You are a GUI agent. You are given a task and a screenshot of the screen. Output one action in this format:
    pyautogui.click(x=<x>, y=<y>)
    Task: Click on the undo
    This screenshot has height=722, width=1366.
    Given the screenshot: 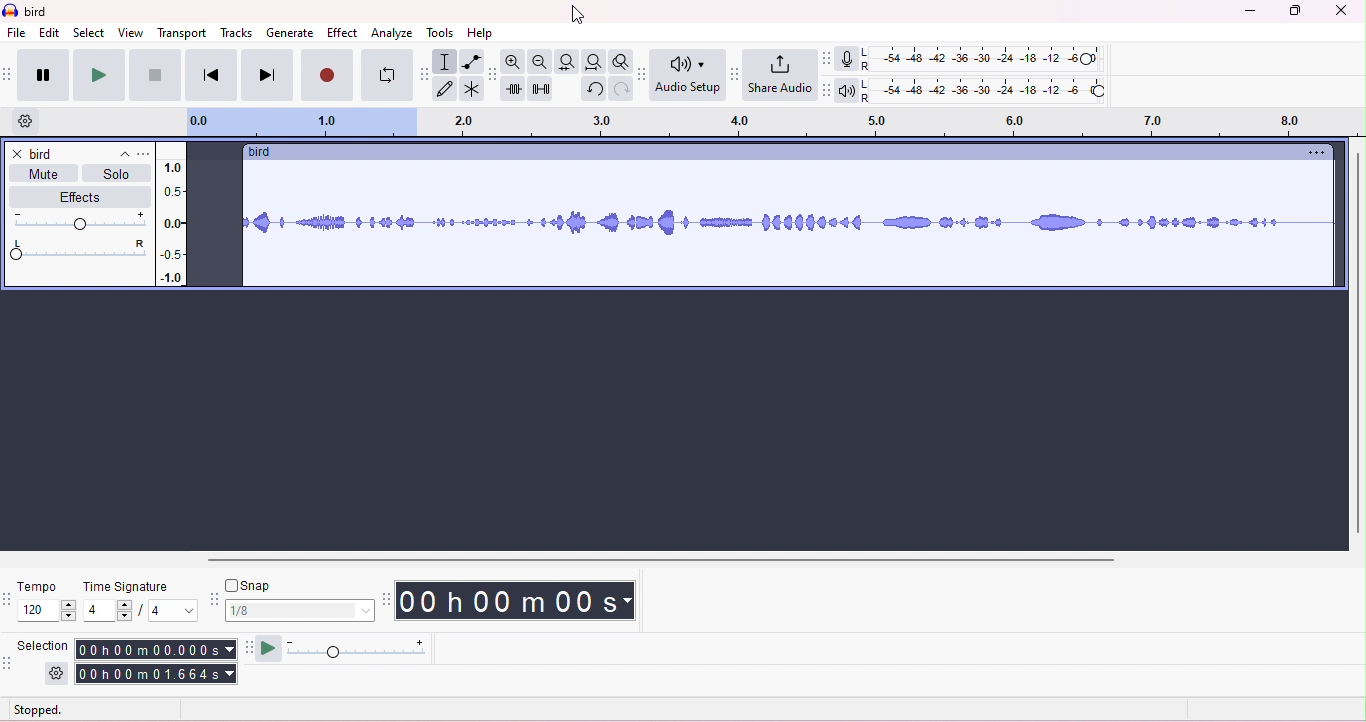 What is the action you would take?
    pyautogui.click(x=592, y=91)
    